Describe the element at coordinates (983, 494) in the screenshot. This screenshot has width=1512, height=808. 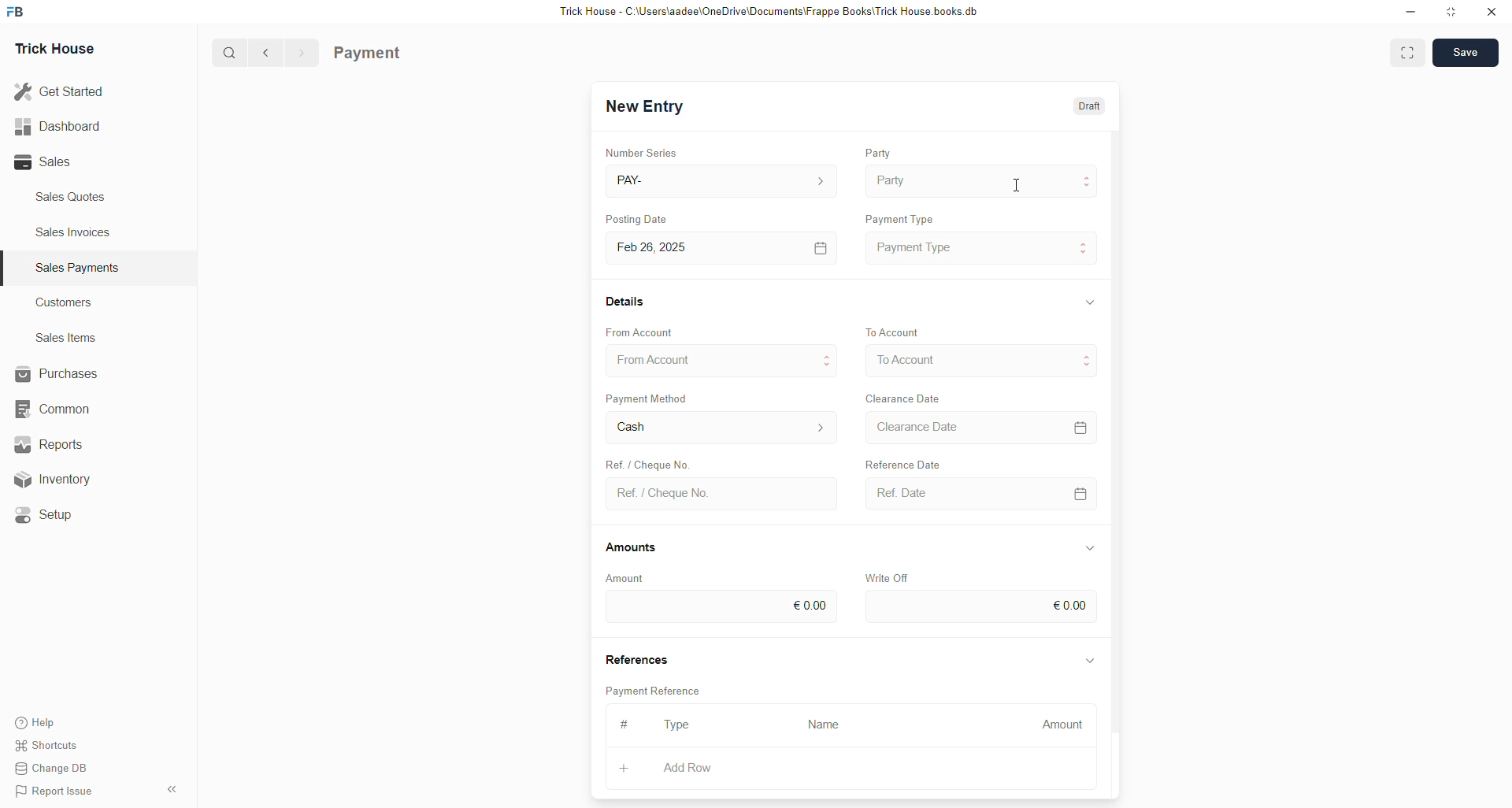
I see `Ref. Date` at that location.